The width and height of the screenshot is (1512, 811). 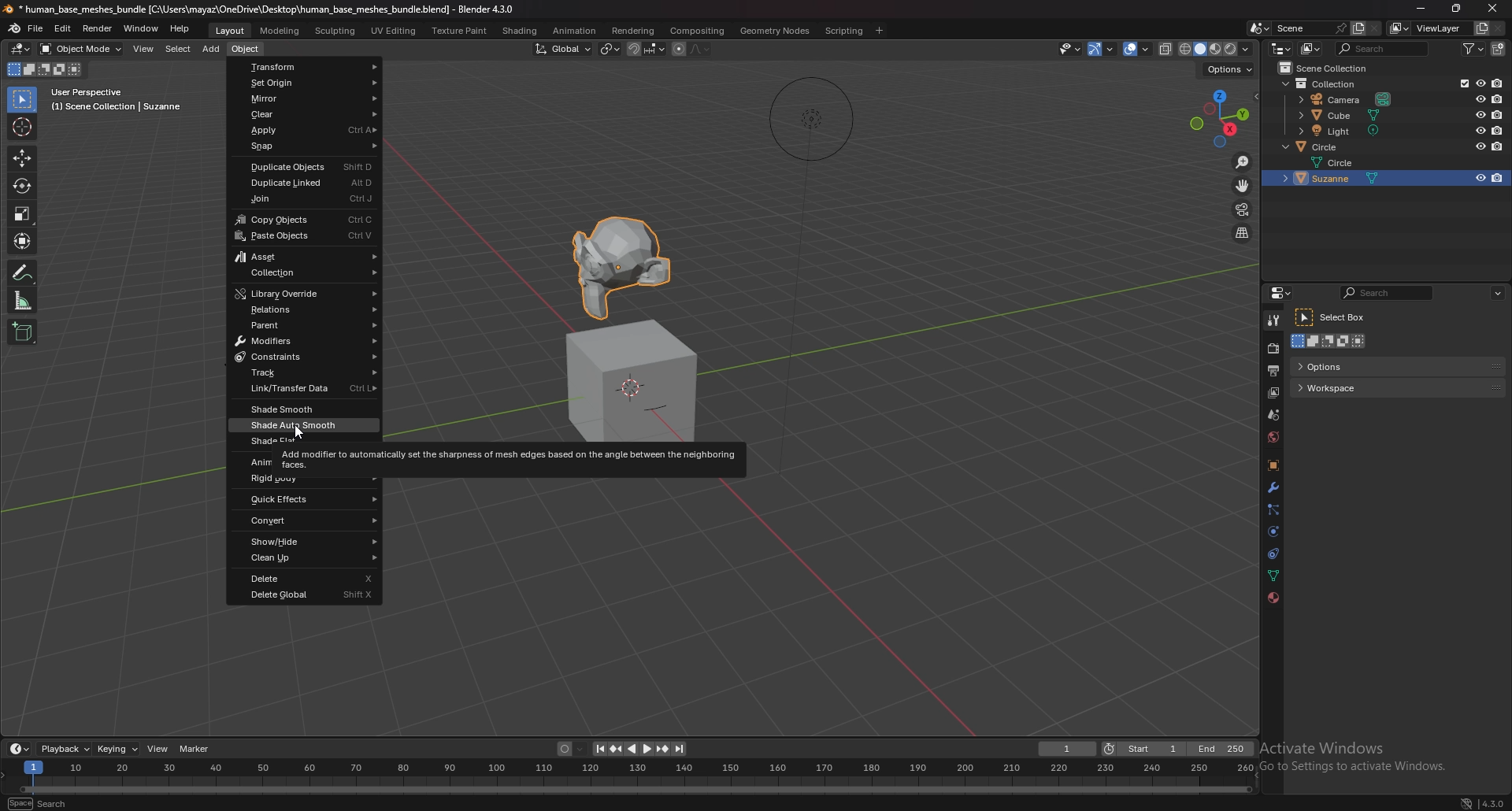 What do you see at coordinates (247, 48) in the screenshot?
I see `object` at bounding box center [247, 48].